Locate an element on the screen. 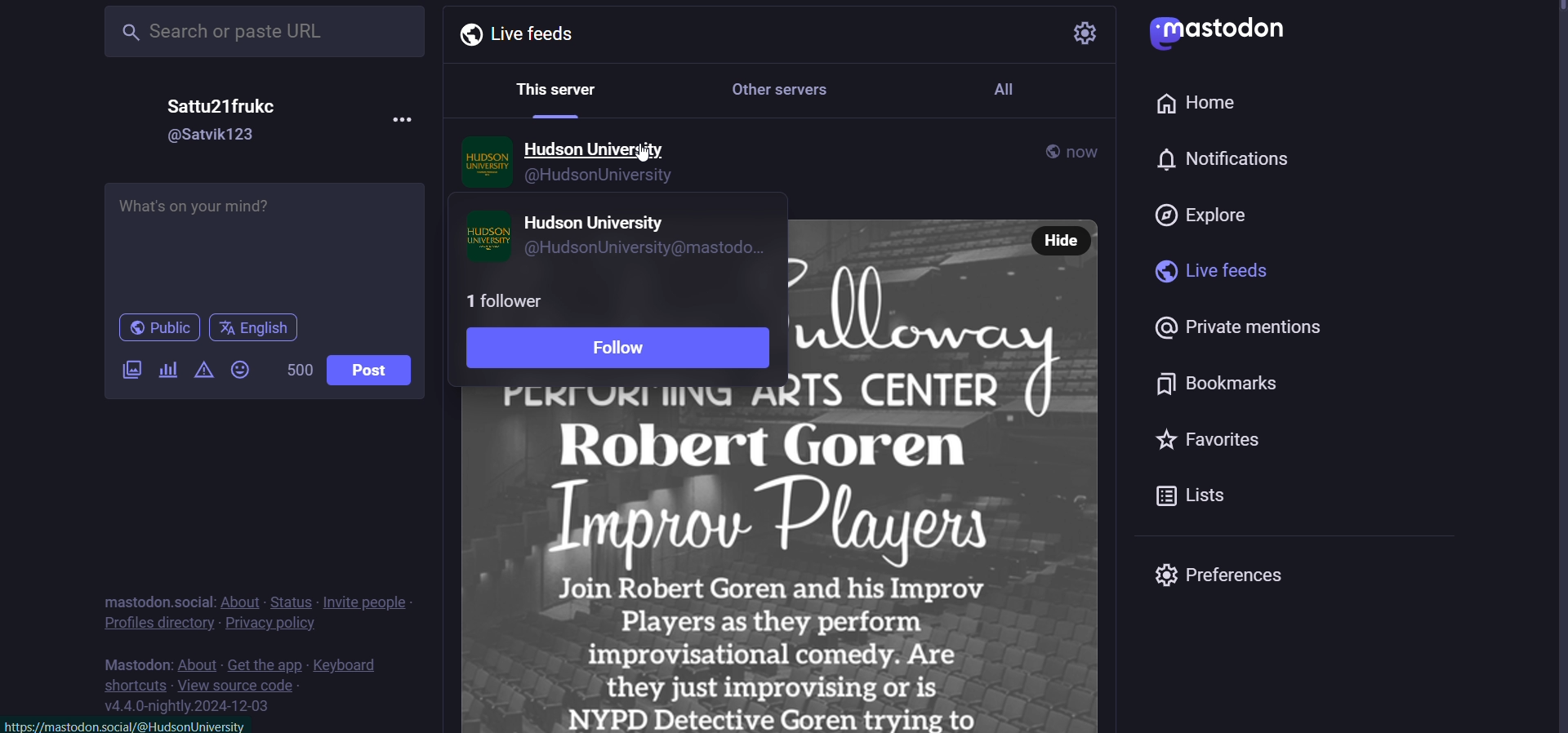  view source code is located at coordinates (238, 686).